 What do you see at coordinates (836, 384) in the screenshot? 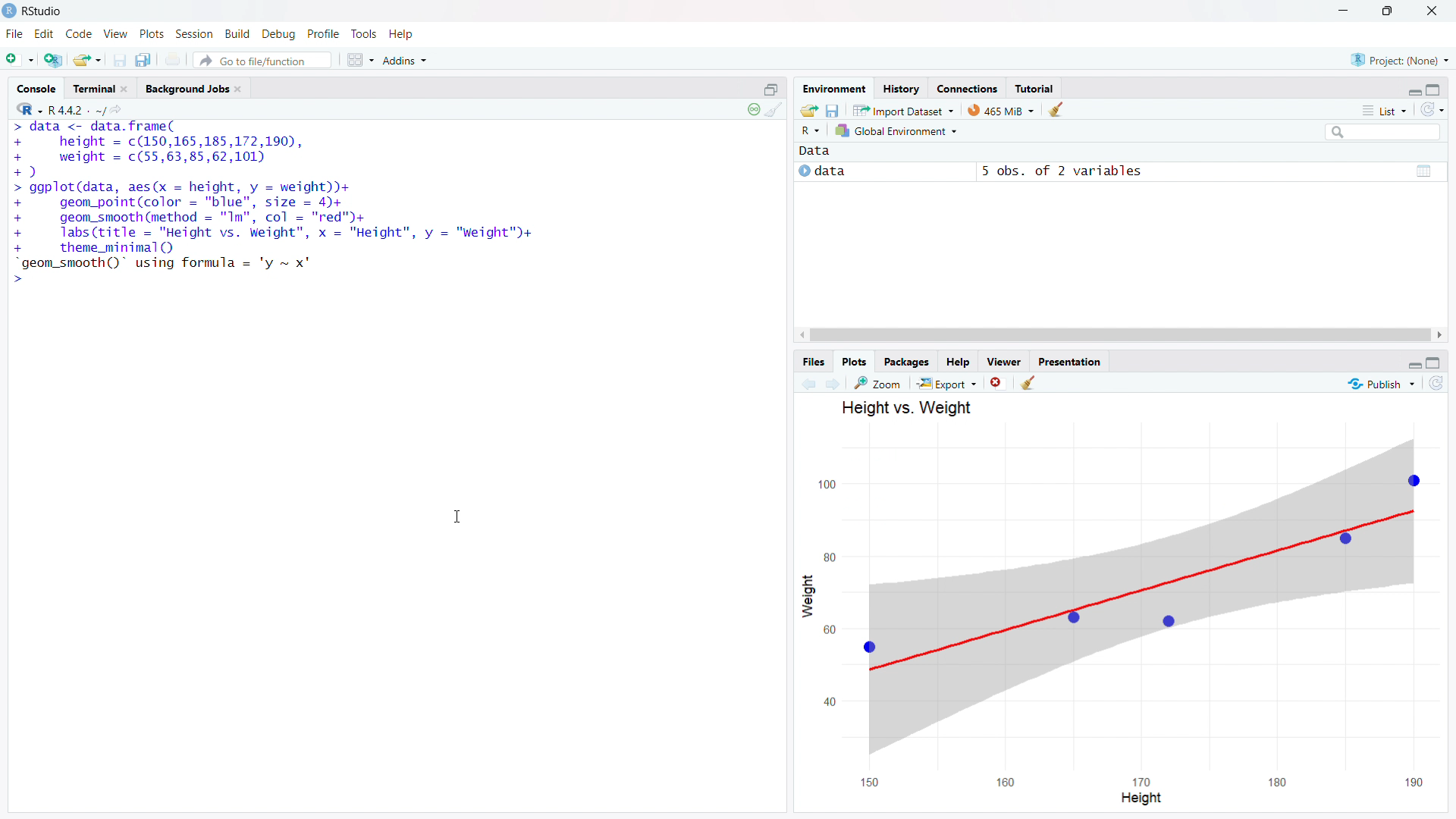
I see `next` at bounding box center [836, 384].